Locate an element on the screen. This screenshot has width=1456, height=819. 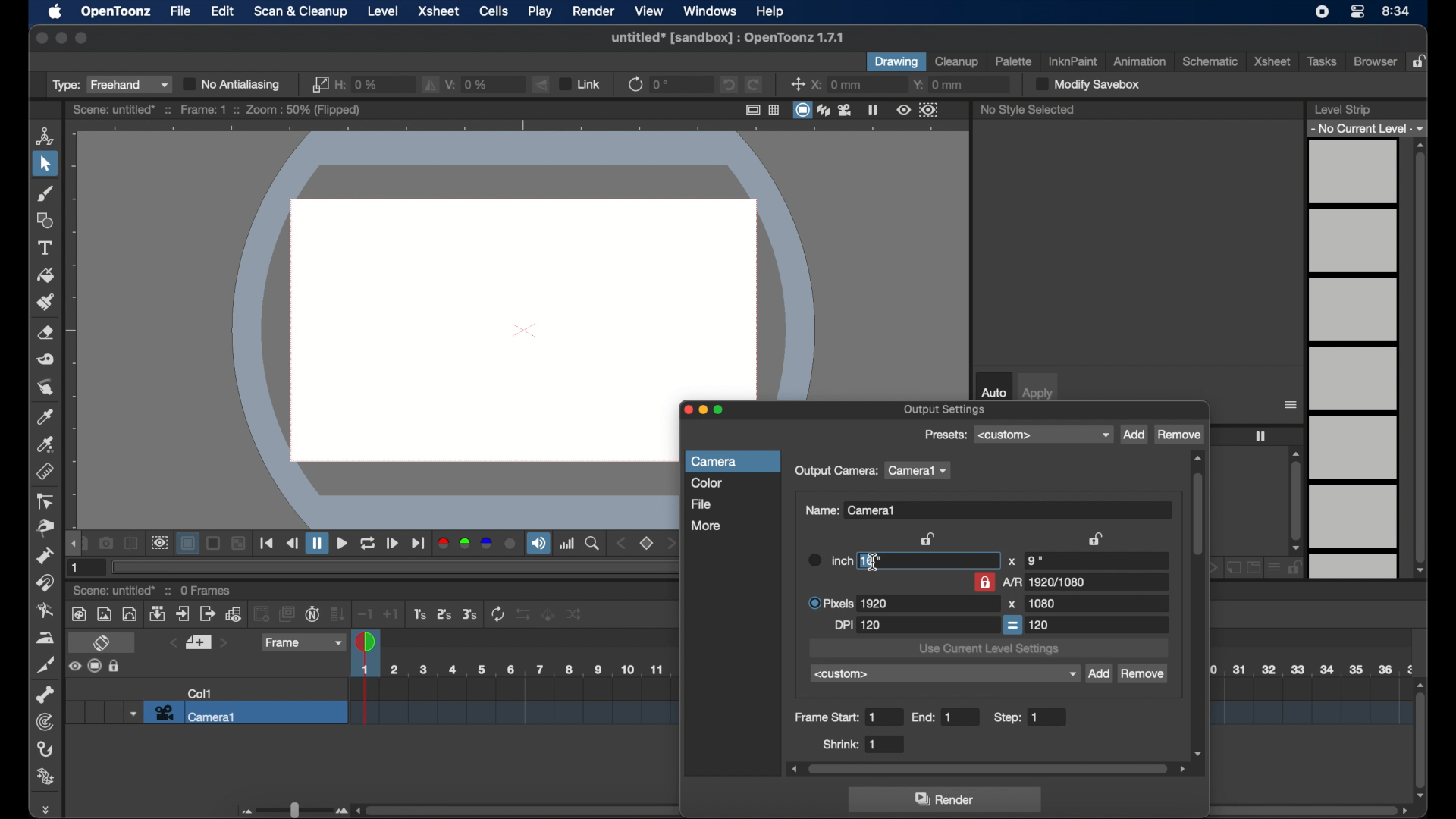
color is located at coordinates (707, 483).